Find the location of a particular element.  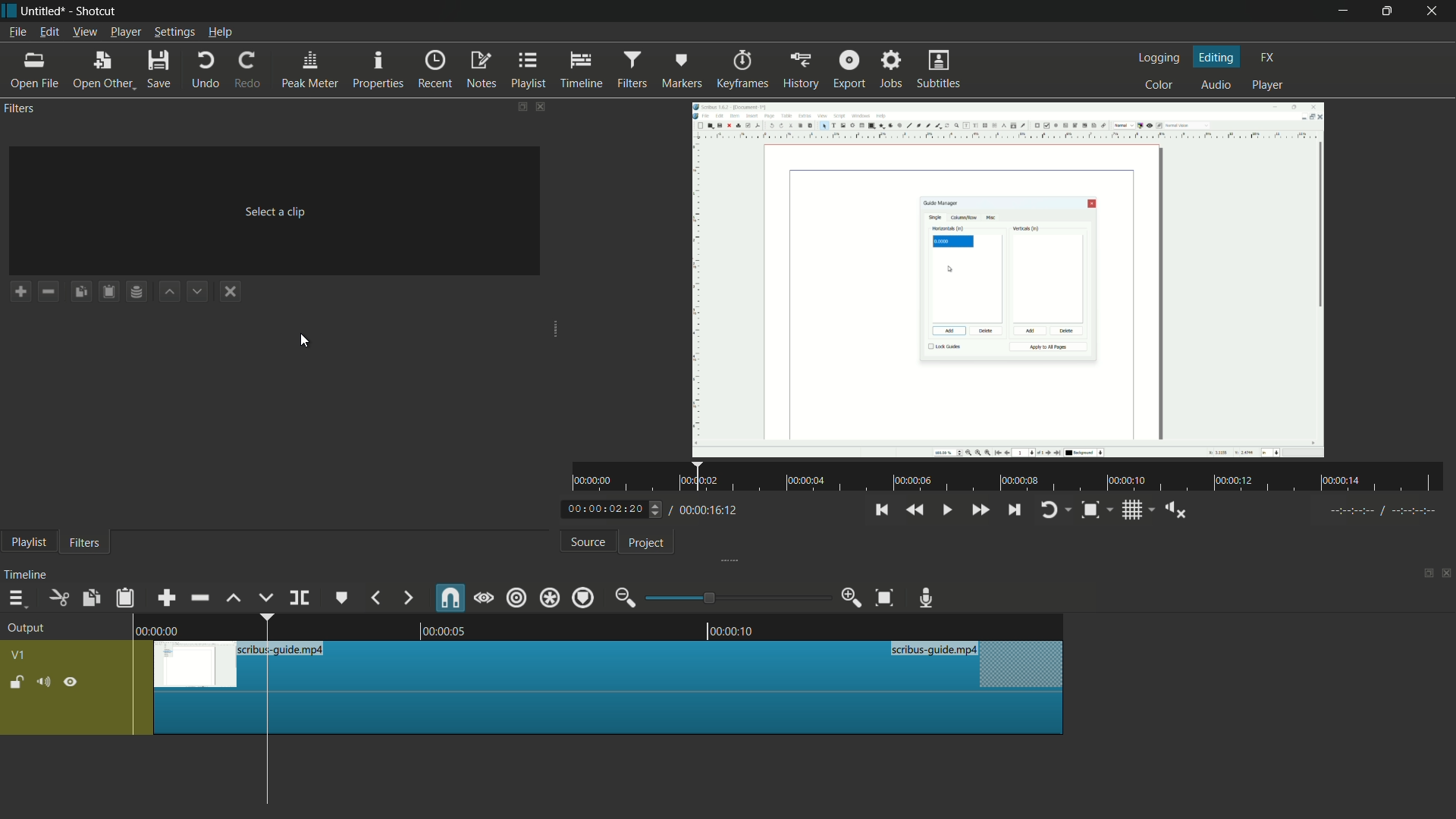

copy is located at coordinates (90, 599).